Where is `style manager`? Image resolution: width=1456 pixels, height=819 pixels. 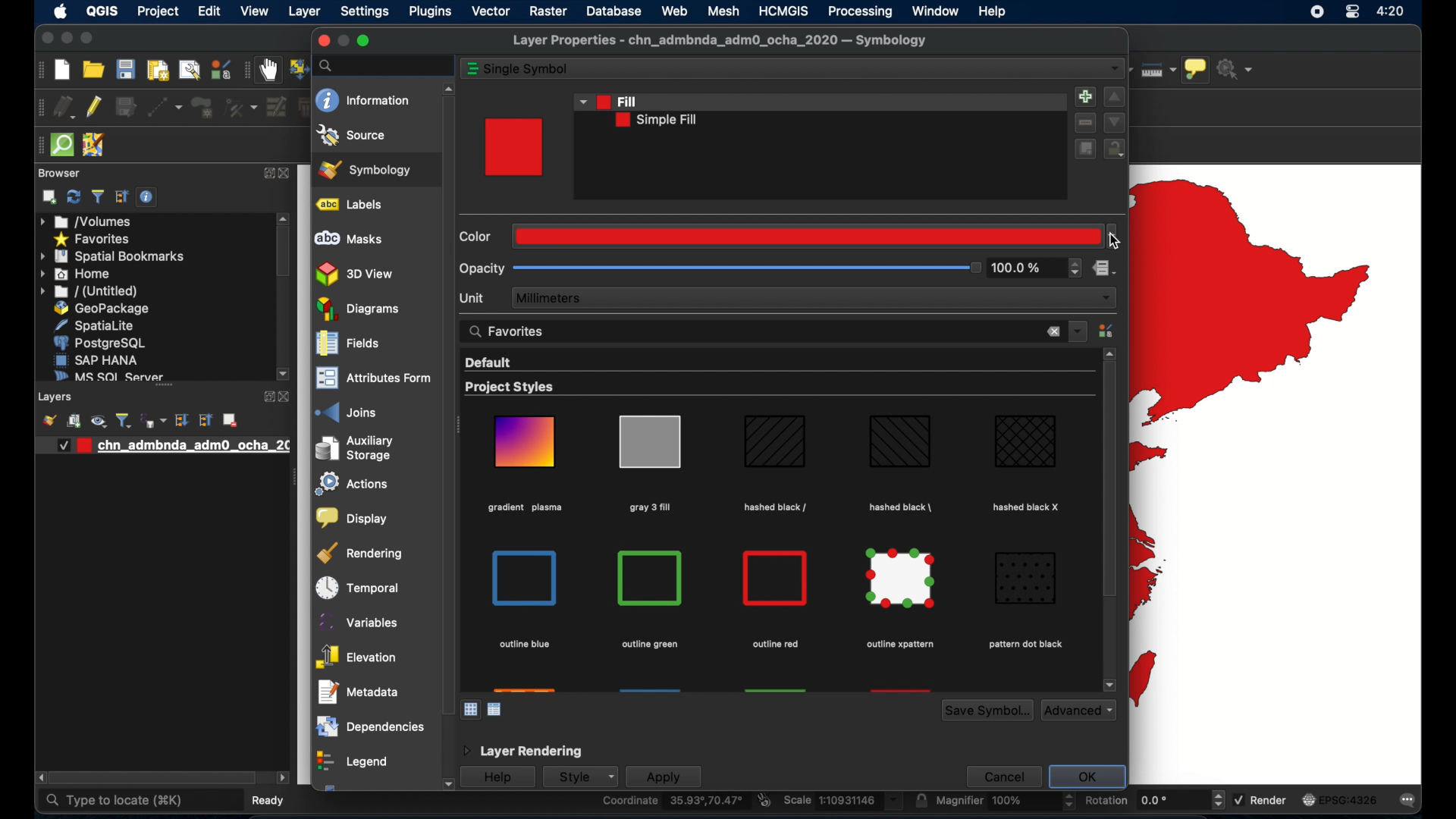 style manager is located at coordinates (1108, 331).